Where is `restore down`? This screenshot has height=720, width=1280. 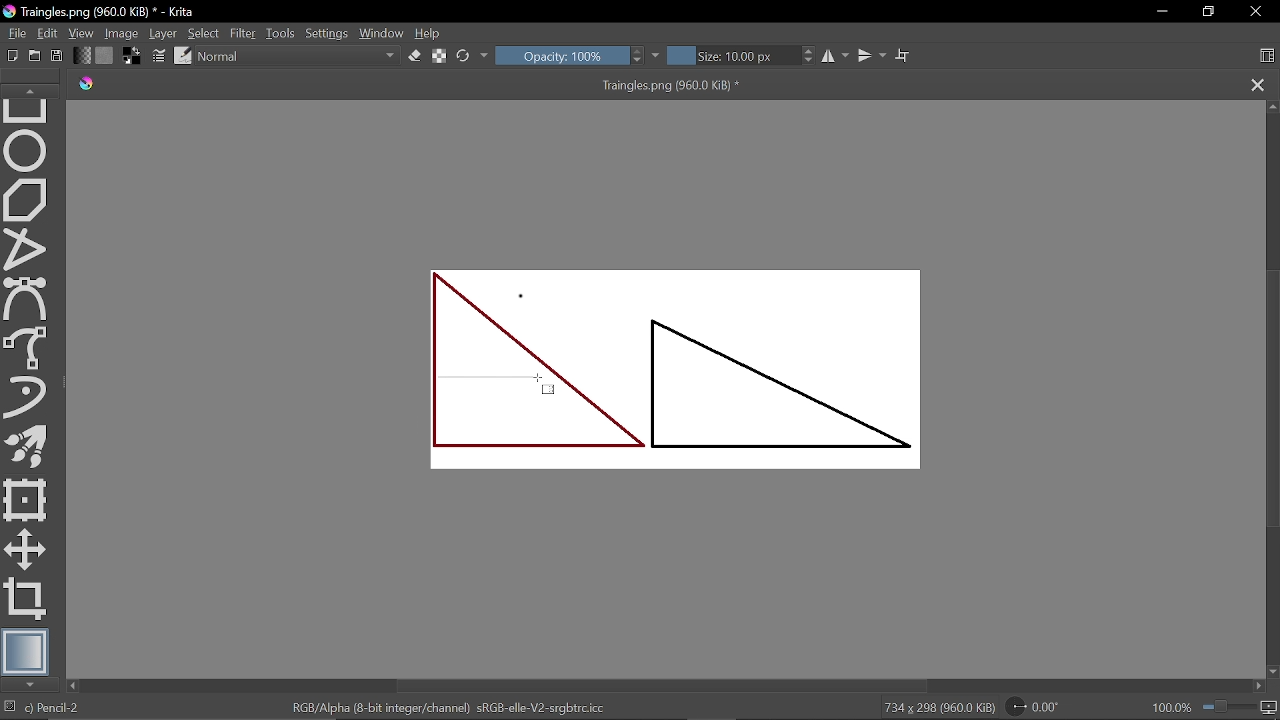 restore down is located at coordinates (1211, 11).